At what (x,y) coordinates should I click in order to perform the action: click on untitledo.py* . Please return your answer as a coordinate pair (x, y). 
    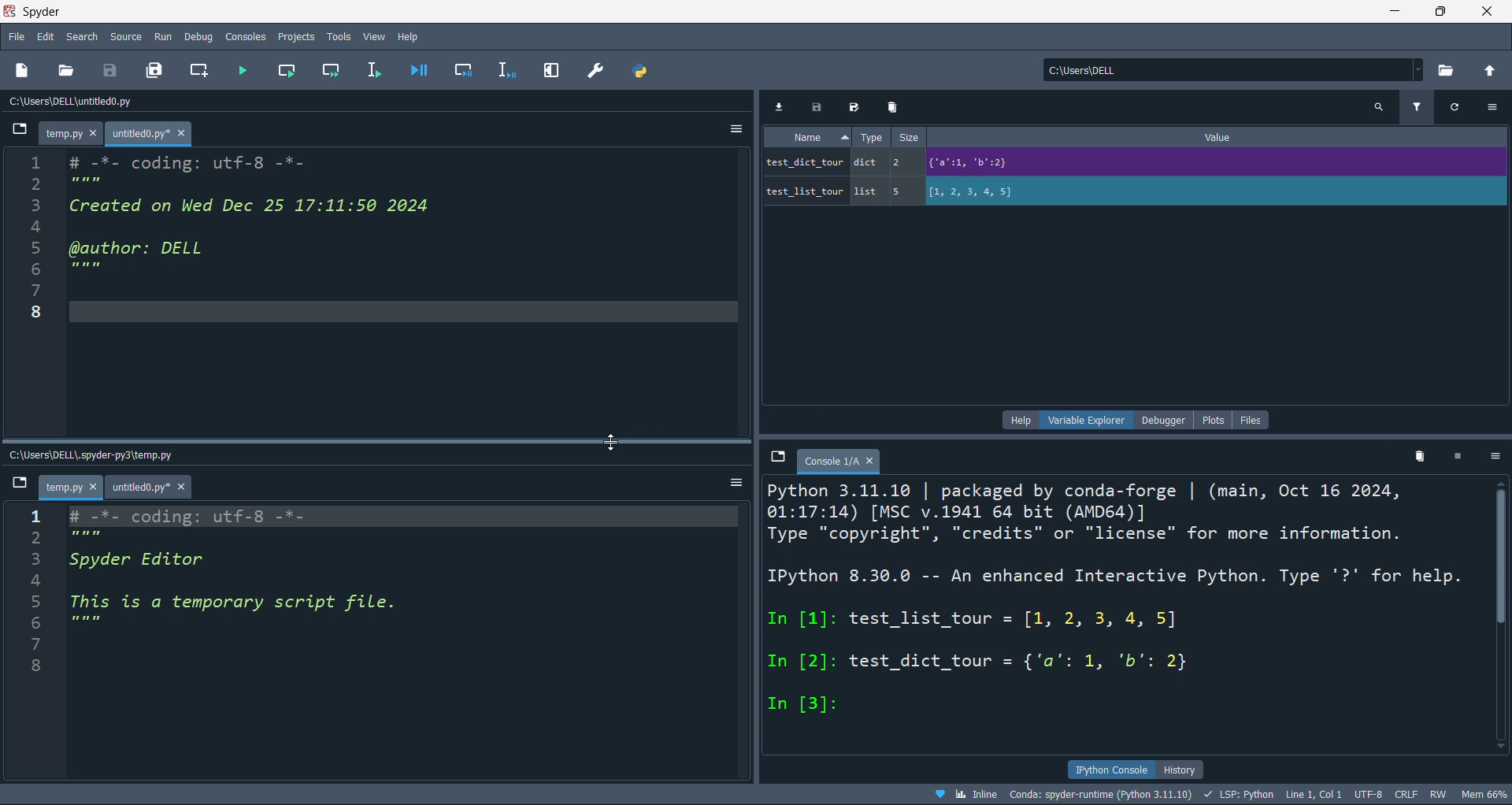
    Looking at the image, I should click on (157, 486).